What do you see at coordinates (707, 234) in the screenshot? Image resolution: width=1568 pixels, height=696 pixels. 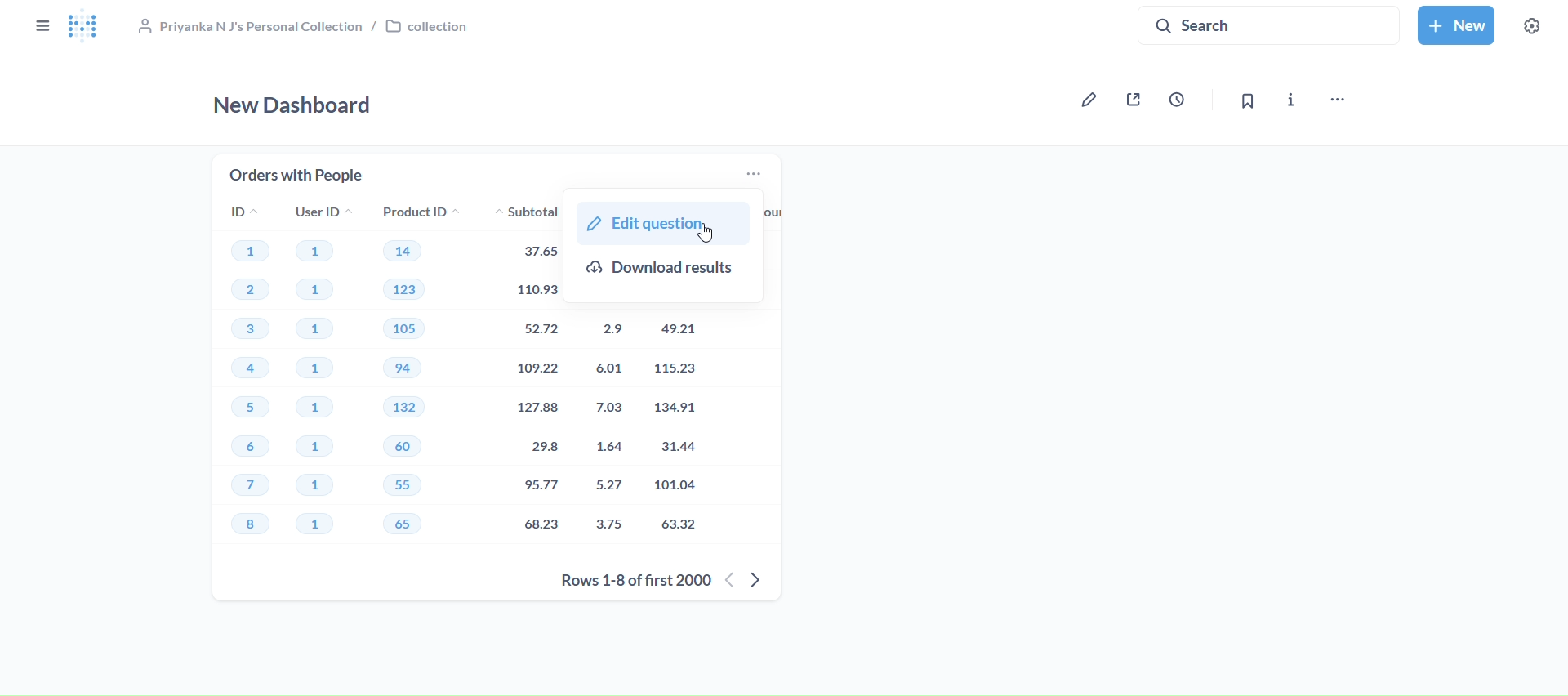 I see `Cursor` at bounding box center [707, 234].